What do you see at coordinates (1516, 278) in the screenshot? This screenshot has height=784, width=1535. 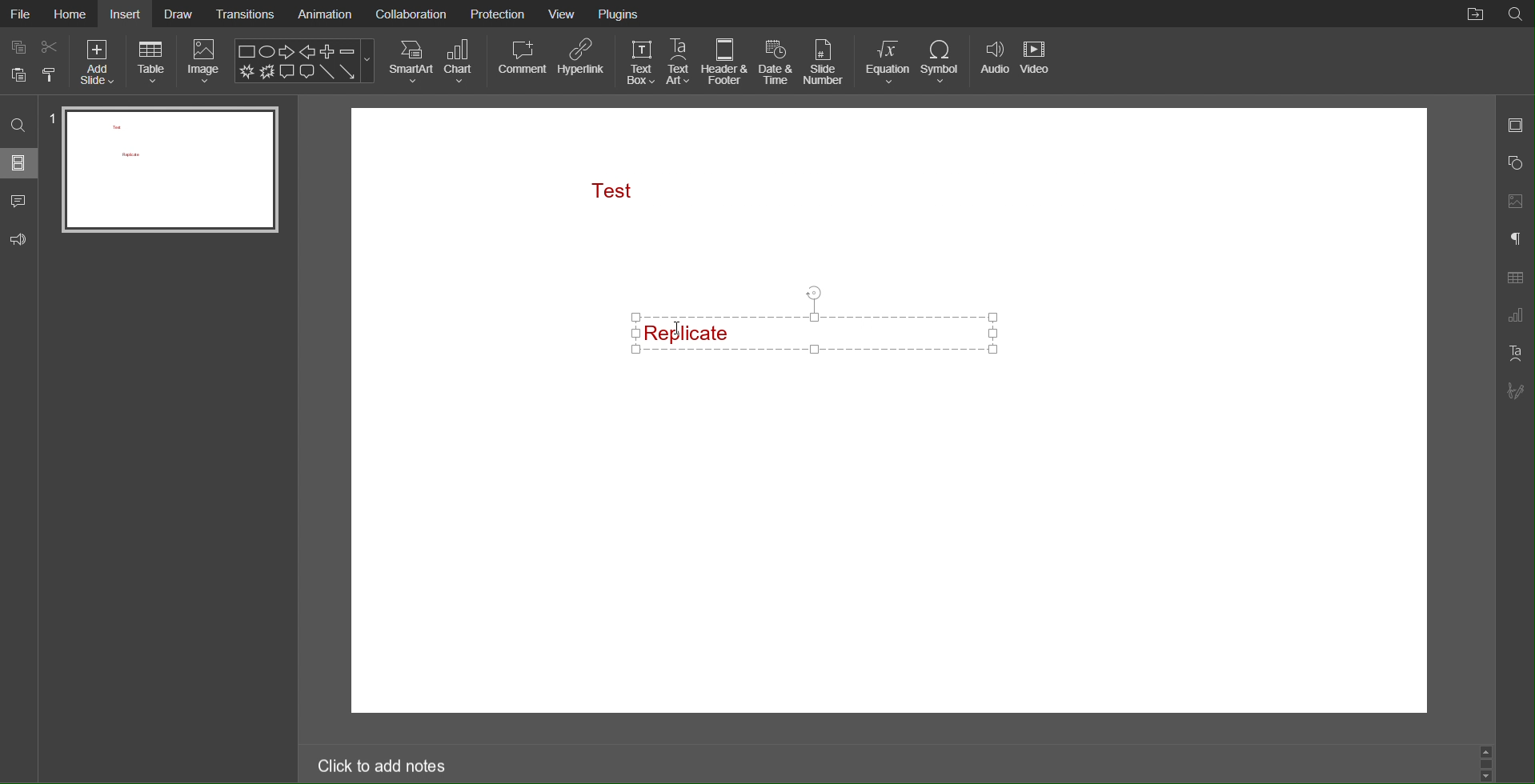 I see `Table Settings` at bounding box center [1516, 278].